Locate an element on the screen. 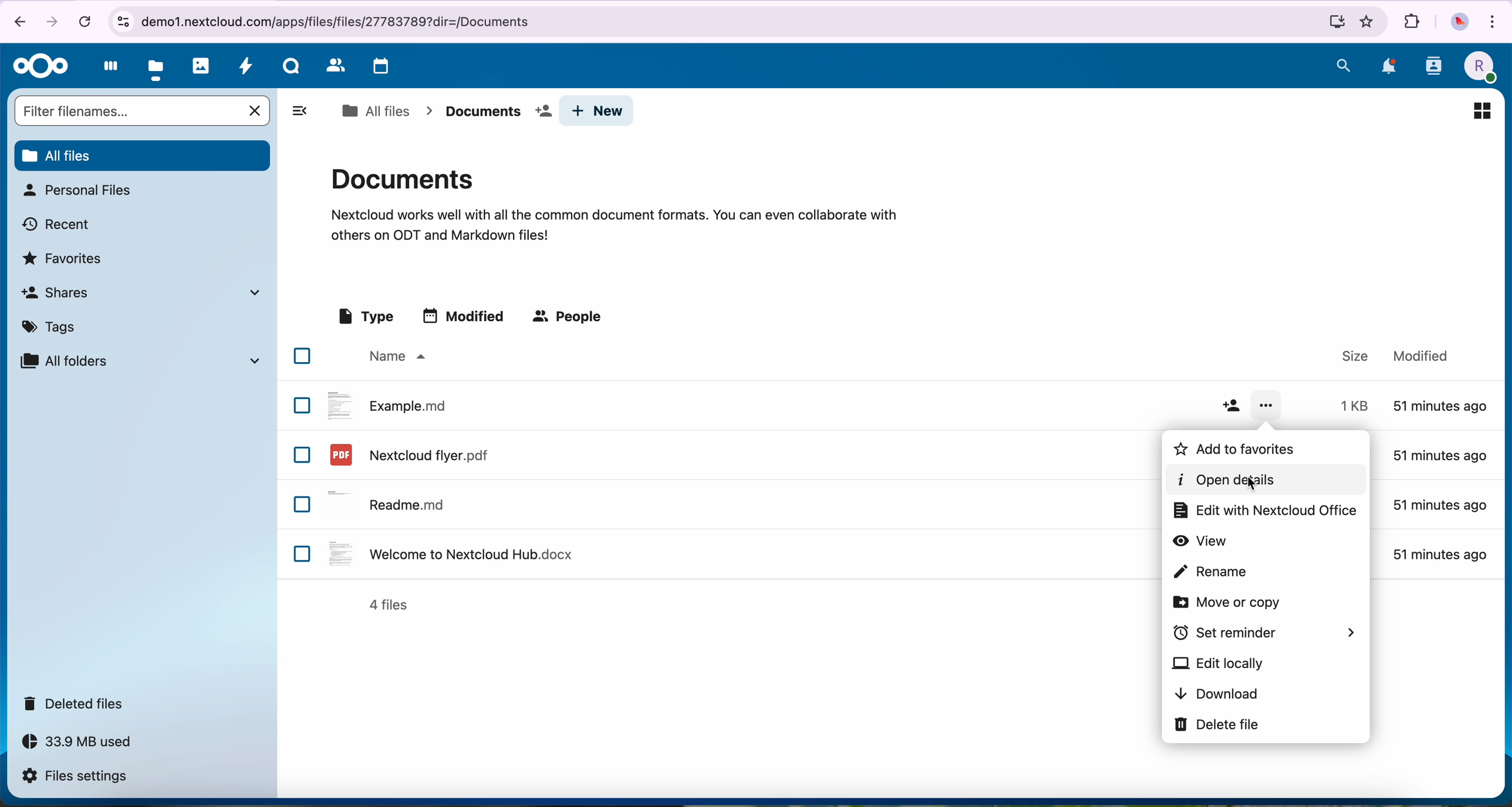 This screenshot has width=1512, height=807. profile is located at coordinates (1478, 67).